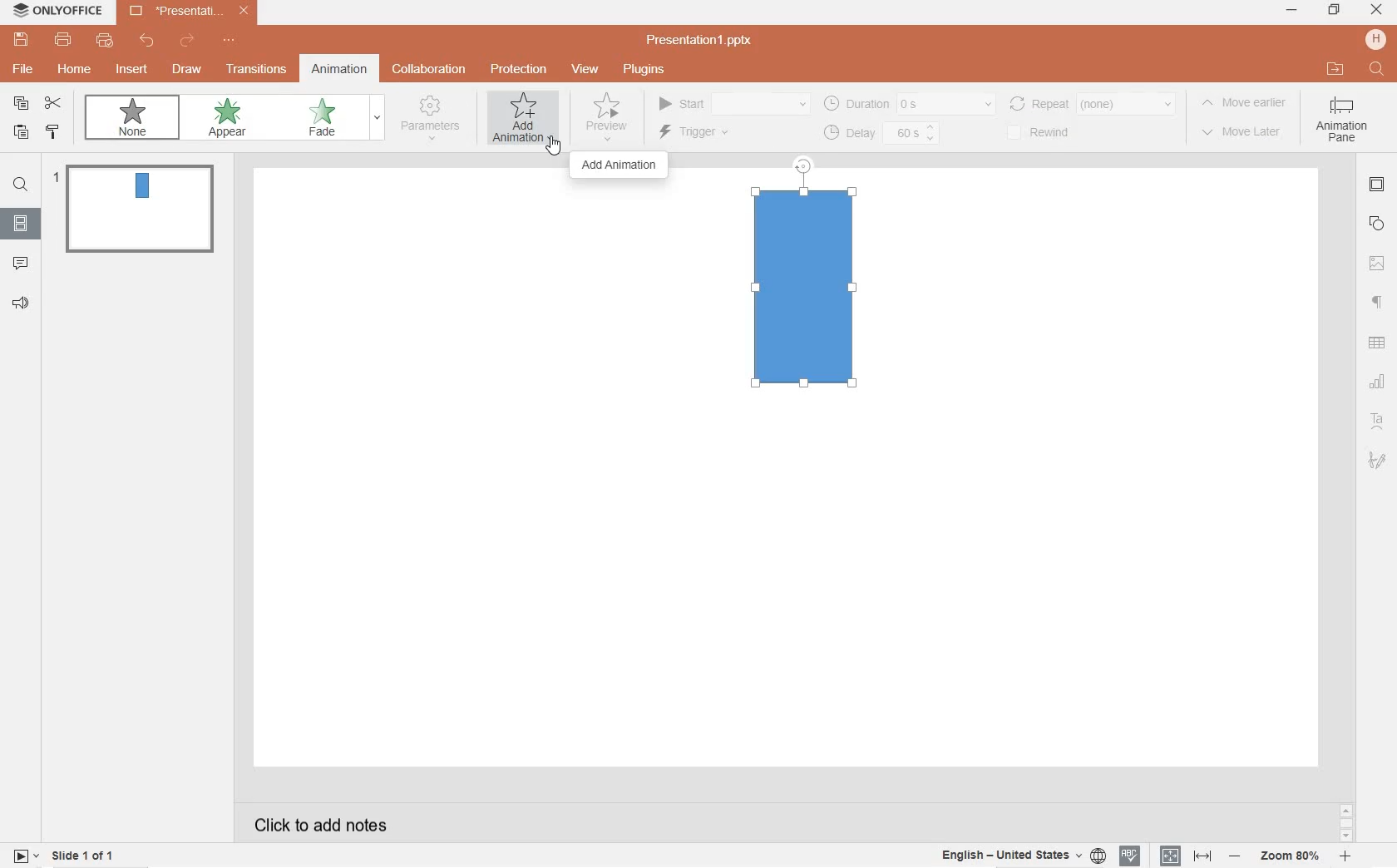 This screenshot has height=868, width=1397. What do you see at coordinates (1095, 103) in the screenshot?
I see `repeat` at bounding box center [1095, 103].